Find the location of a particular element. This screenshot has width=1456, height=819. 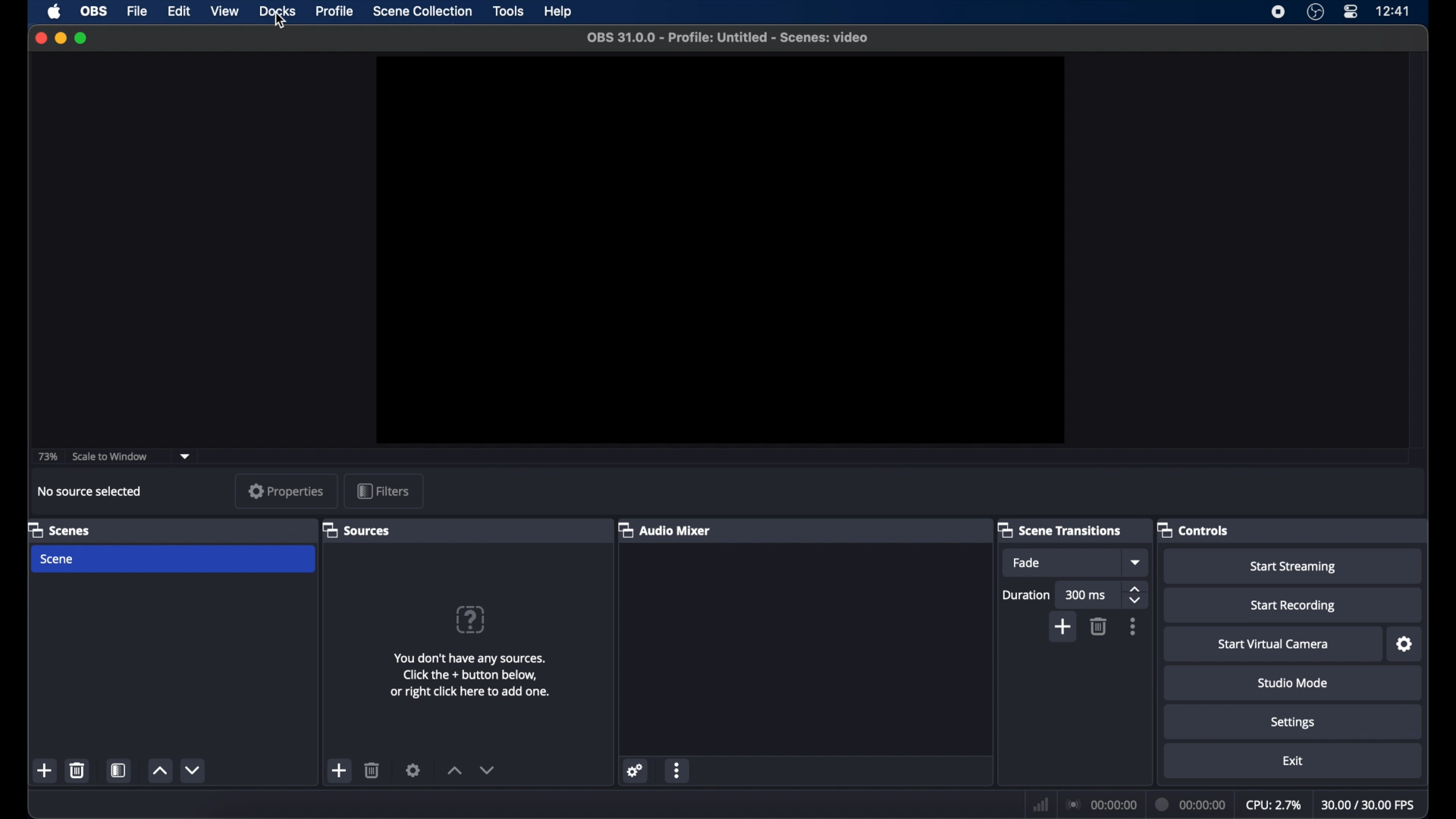

question mark icon is located at coordinates (469, 620).